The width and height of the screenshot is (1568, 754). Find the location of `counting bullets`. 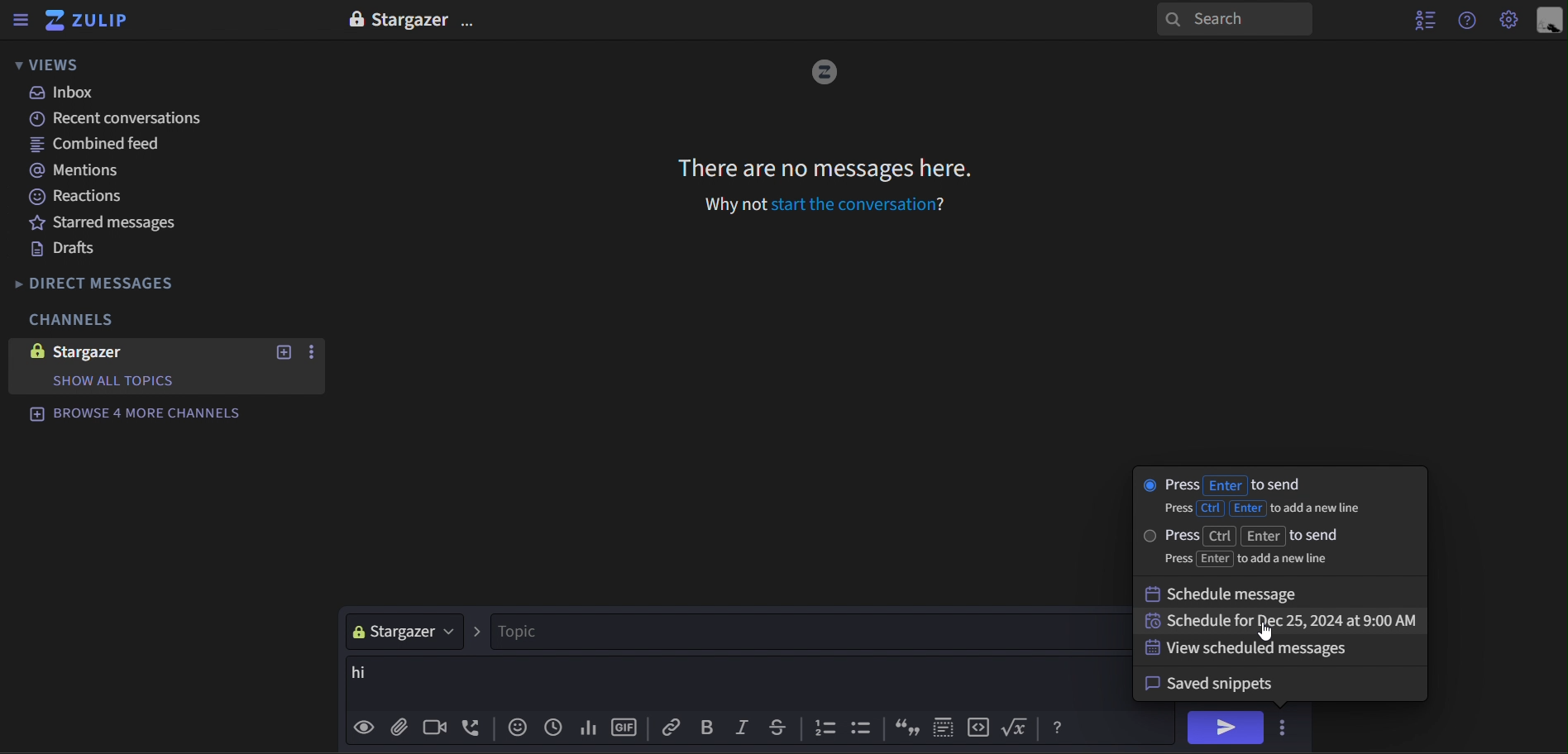

counting bullets is located at coordinates (825, 728).